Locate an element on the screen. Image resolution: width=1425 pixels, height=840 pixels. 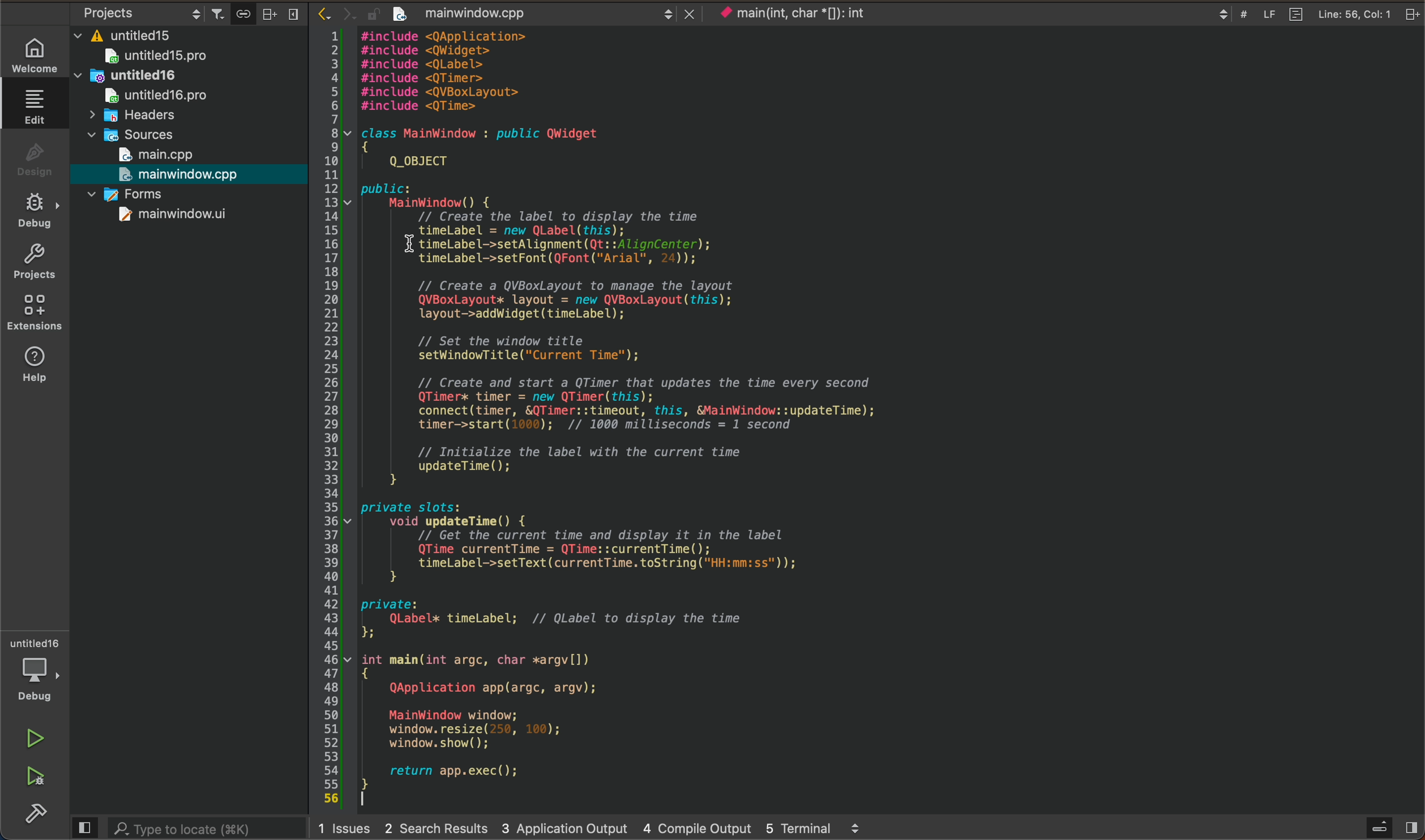
Projects settings is located at coordinates (131, 12).